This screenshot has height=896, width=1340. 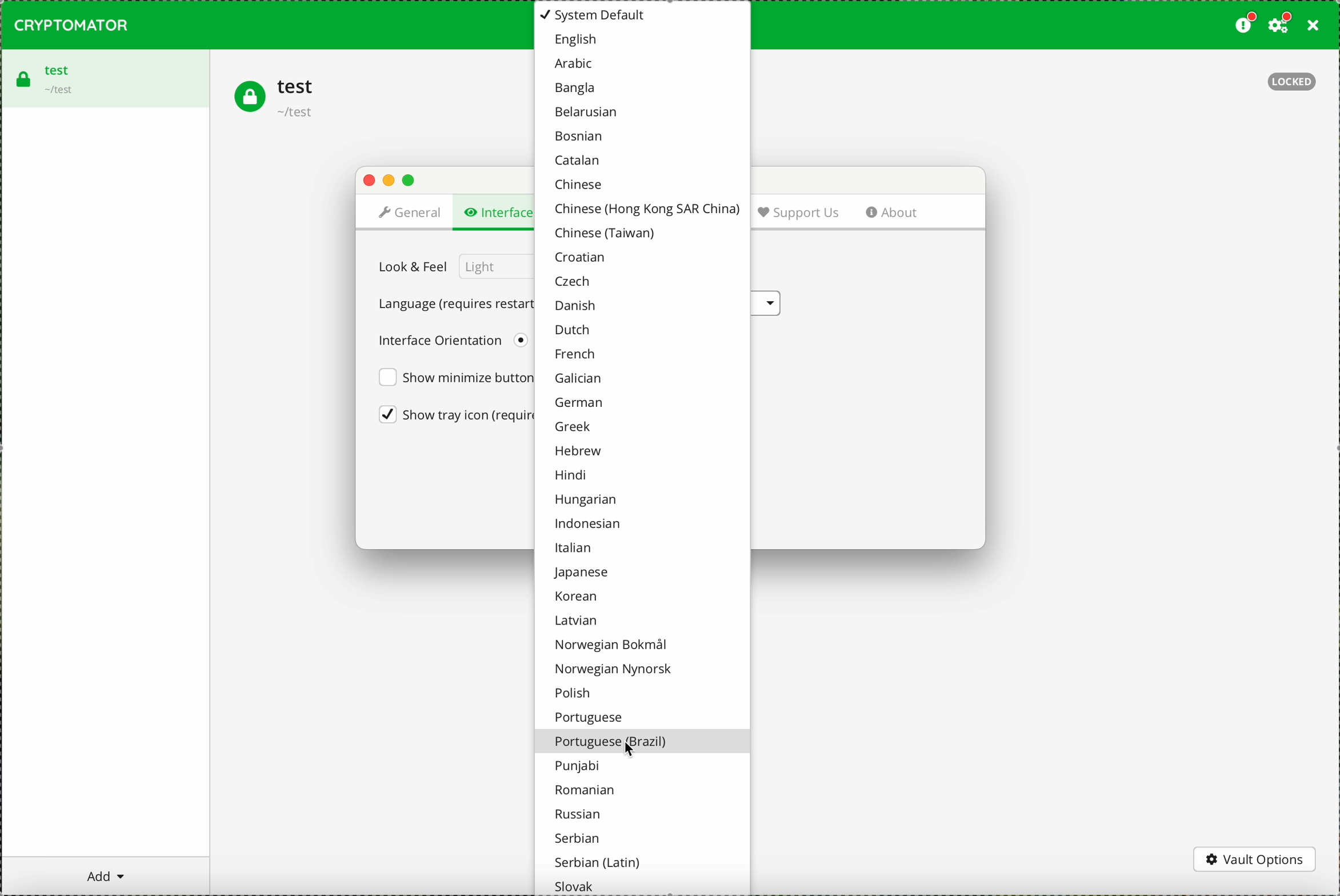 I want to click on chinese (Taiwan), so click(x=605, y=235).